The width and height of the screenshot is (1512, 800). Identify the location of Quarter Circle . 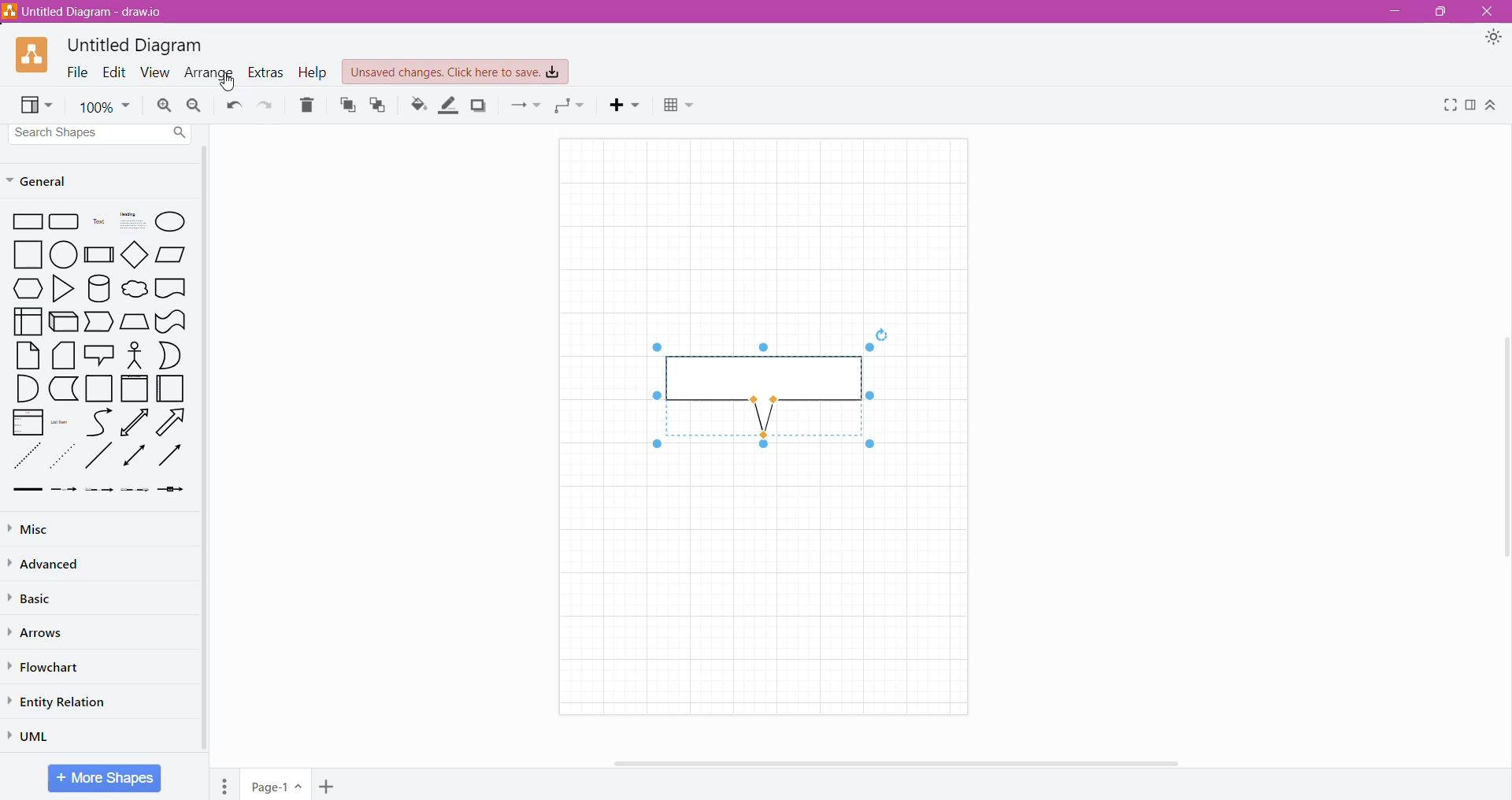
(26, 388).